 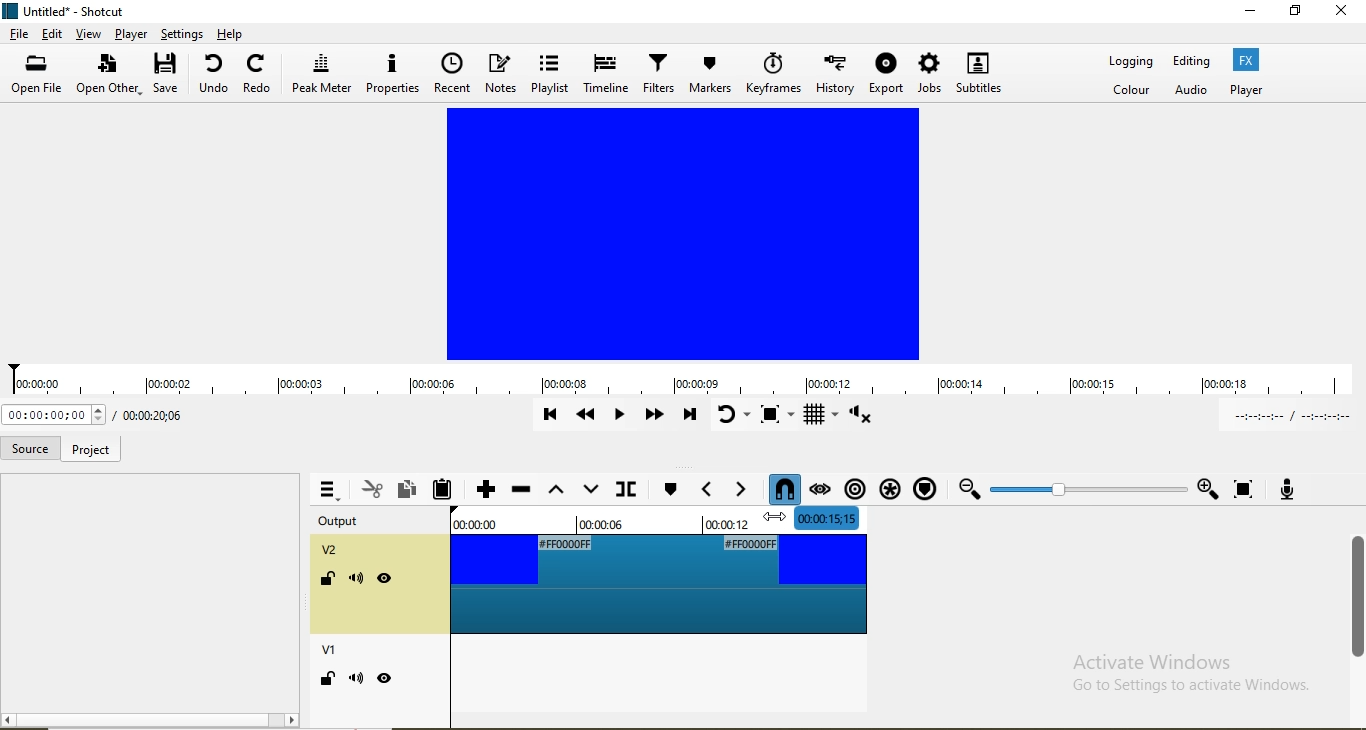 What do you see at coordinates (624, 489) in the screenshot?
I see `Split at playhead` at bounding box center [624, 489].